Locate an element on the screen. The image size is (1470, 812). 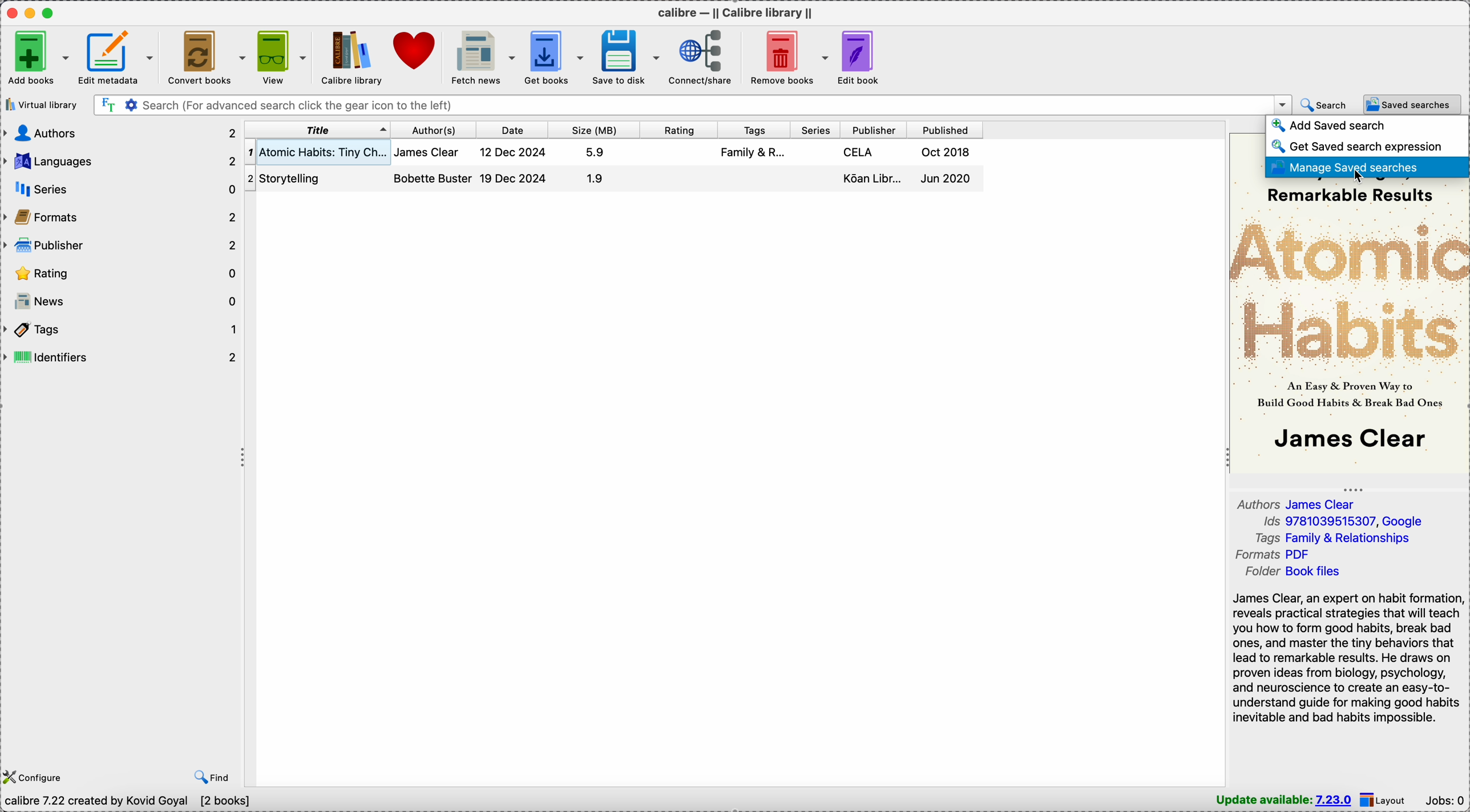
authors is located at coordinates (119, 132).